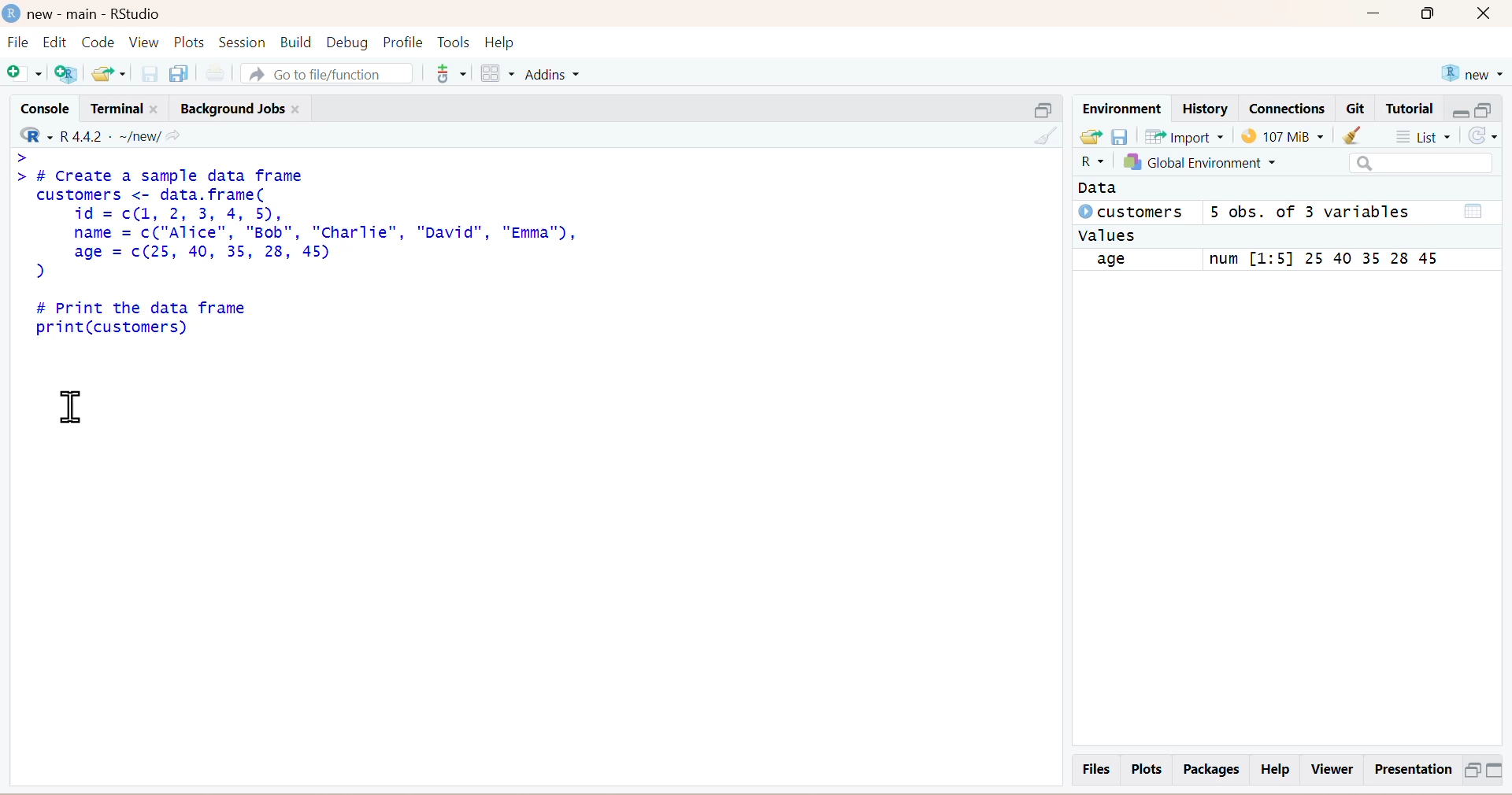 Image resolution: width=1512 pixels, height=795 pixels. What do you see at coordinates (324, 72) in the screenshot?
I see `A Go to file/function` at bounding box center [324, 72].